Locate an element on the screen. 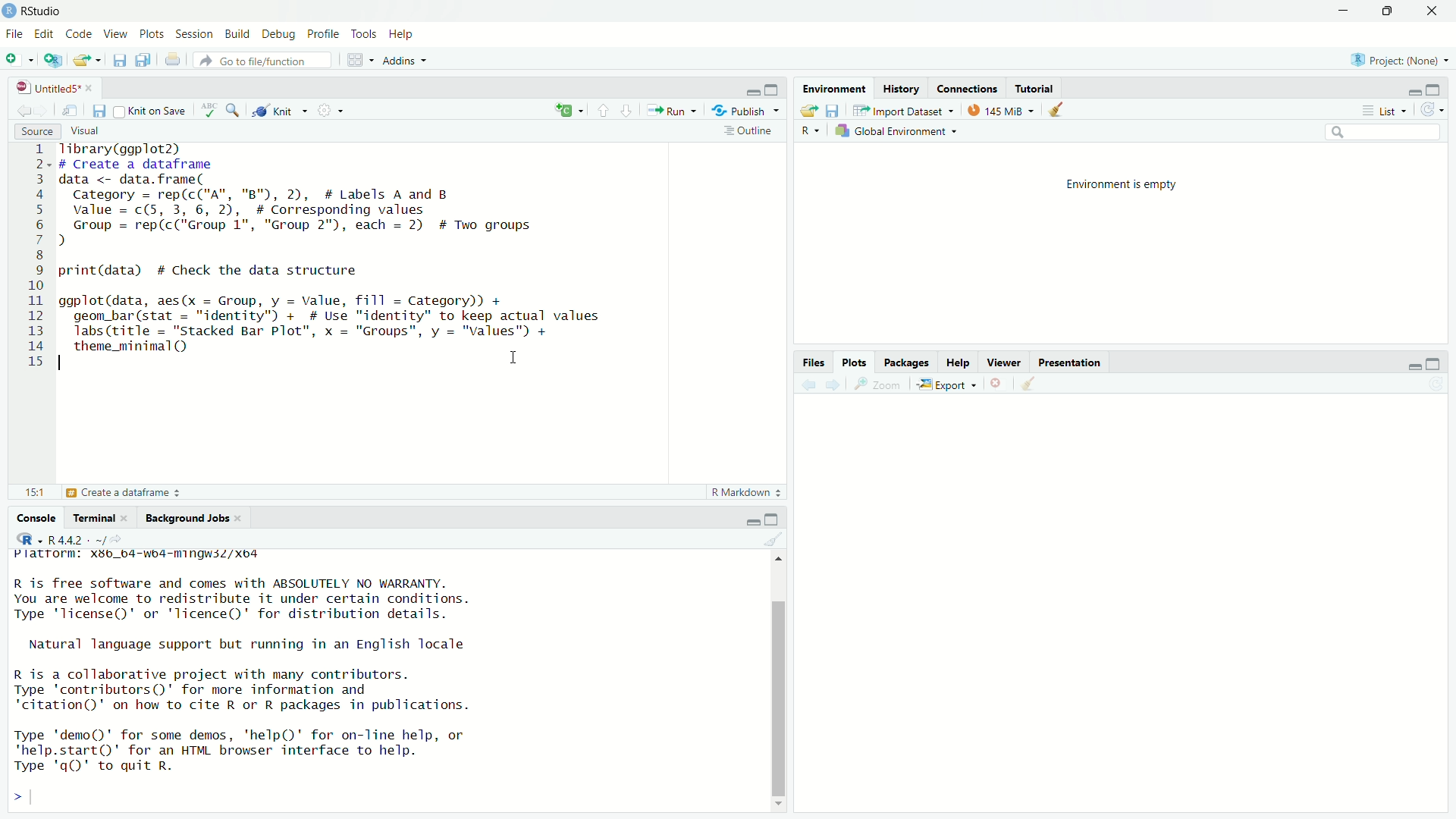 The image size is (1456, 819). Profile is located at coordinates (324, 33).